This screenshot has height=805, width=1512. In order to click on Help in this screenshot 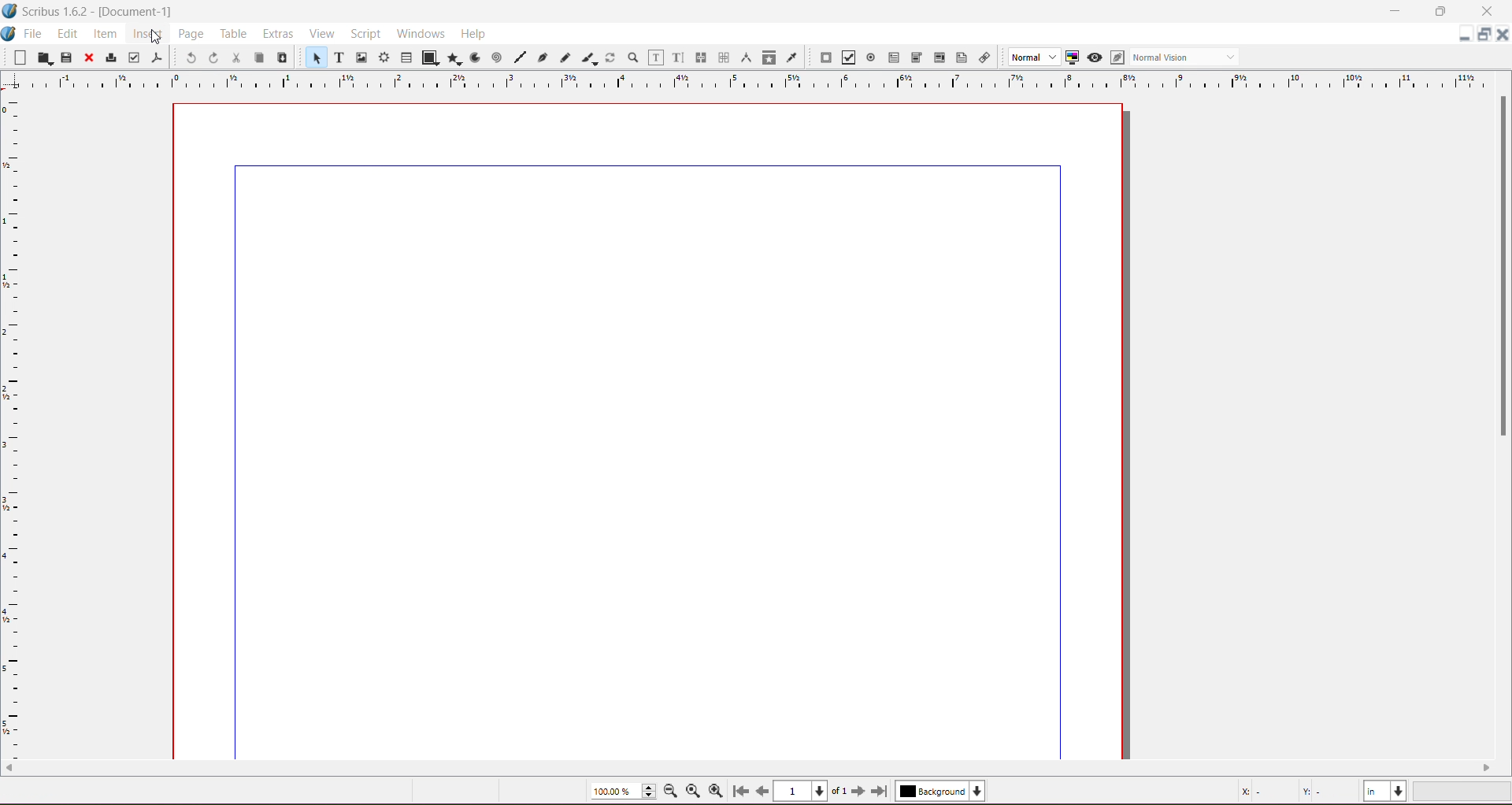, I will do `click(473, 34)`.